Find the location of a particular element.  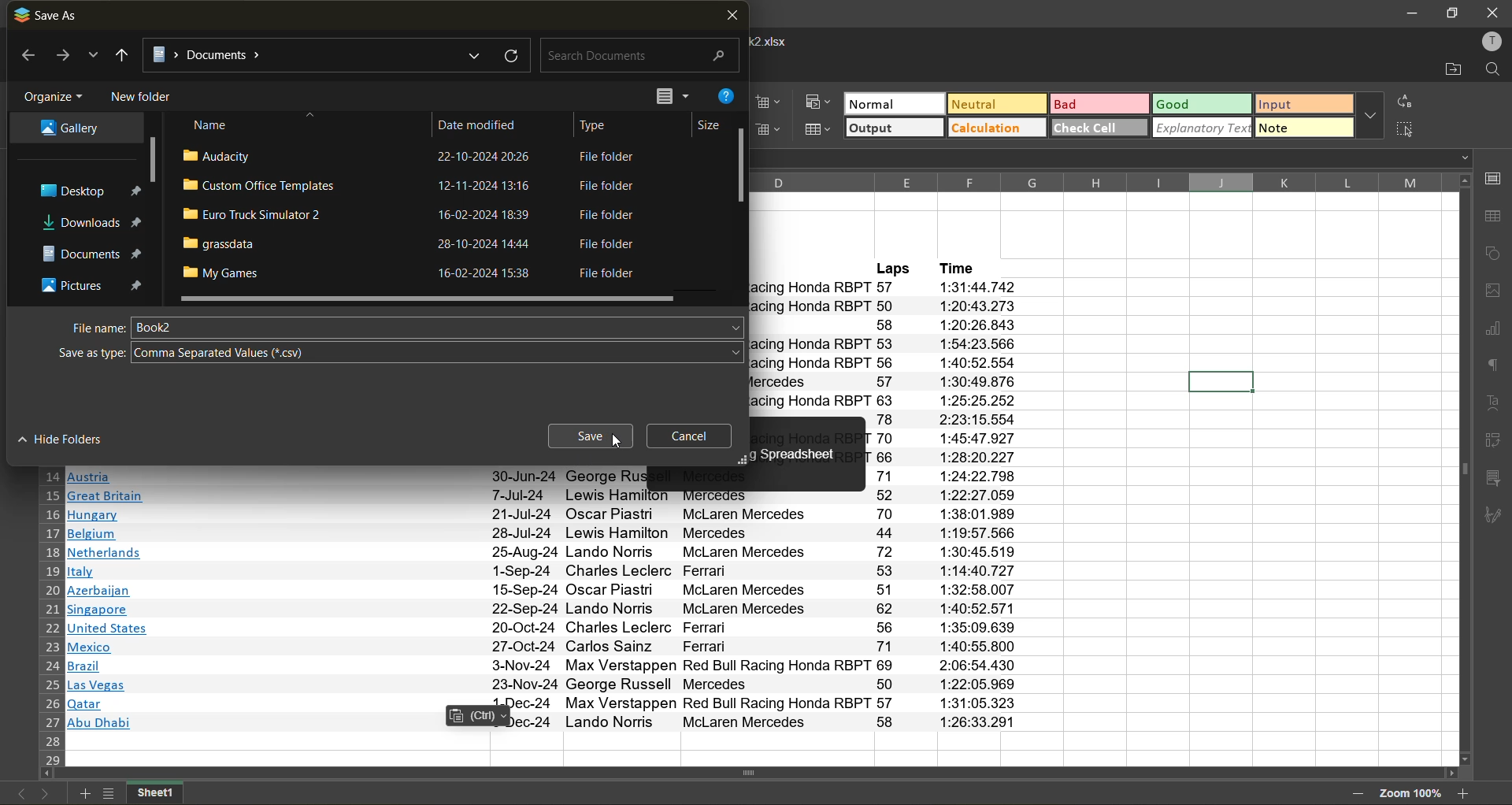

input is located at coordinates (1304, 103).